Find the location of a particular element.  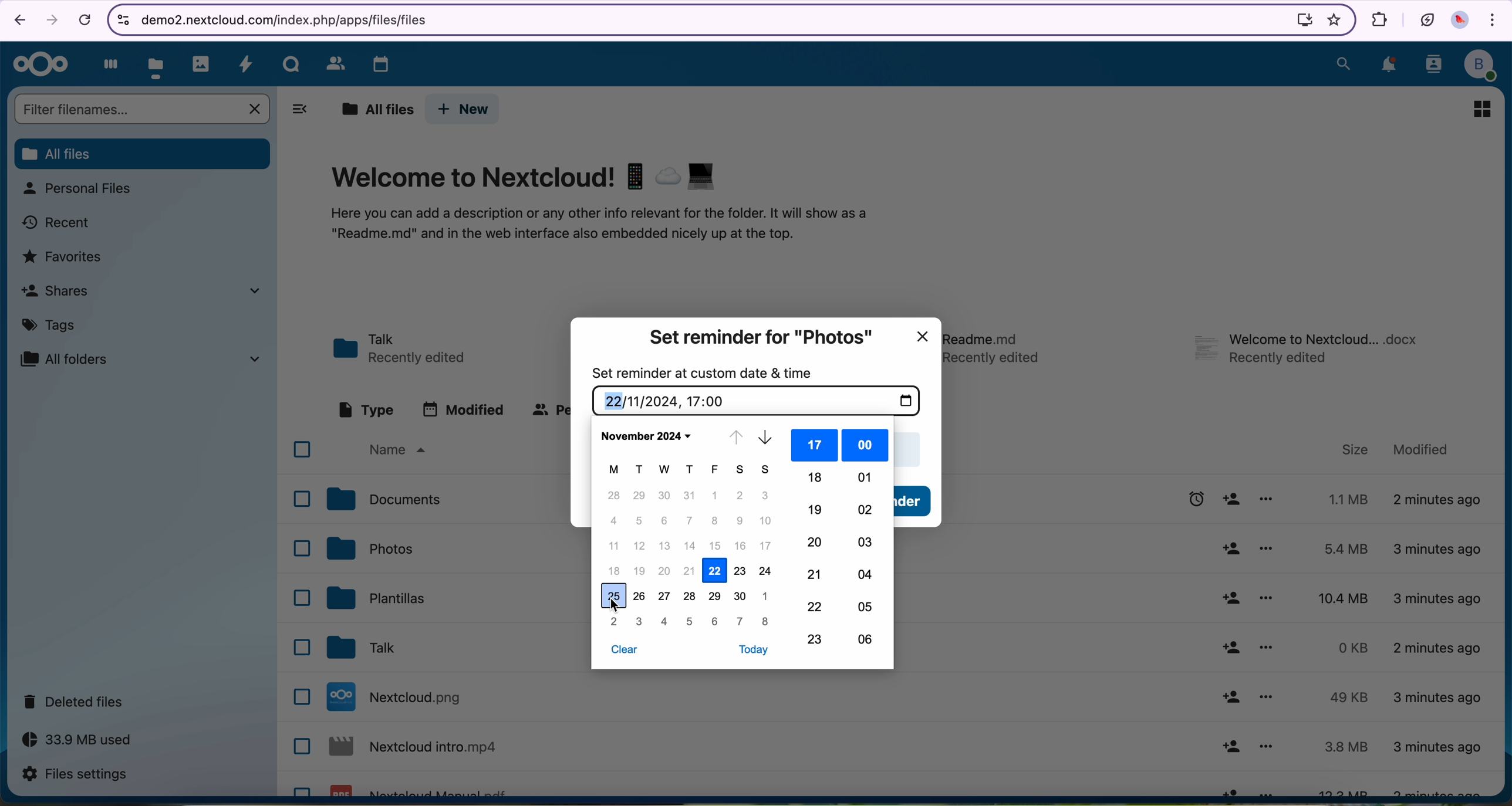

size is located at coordinates (1350, 448).